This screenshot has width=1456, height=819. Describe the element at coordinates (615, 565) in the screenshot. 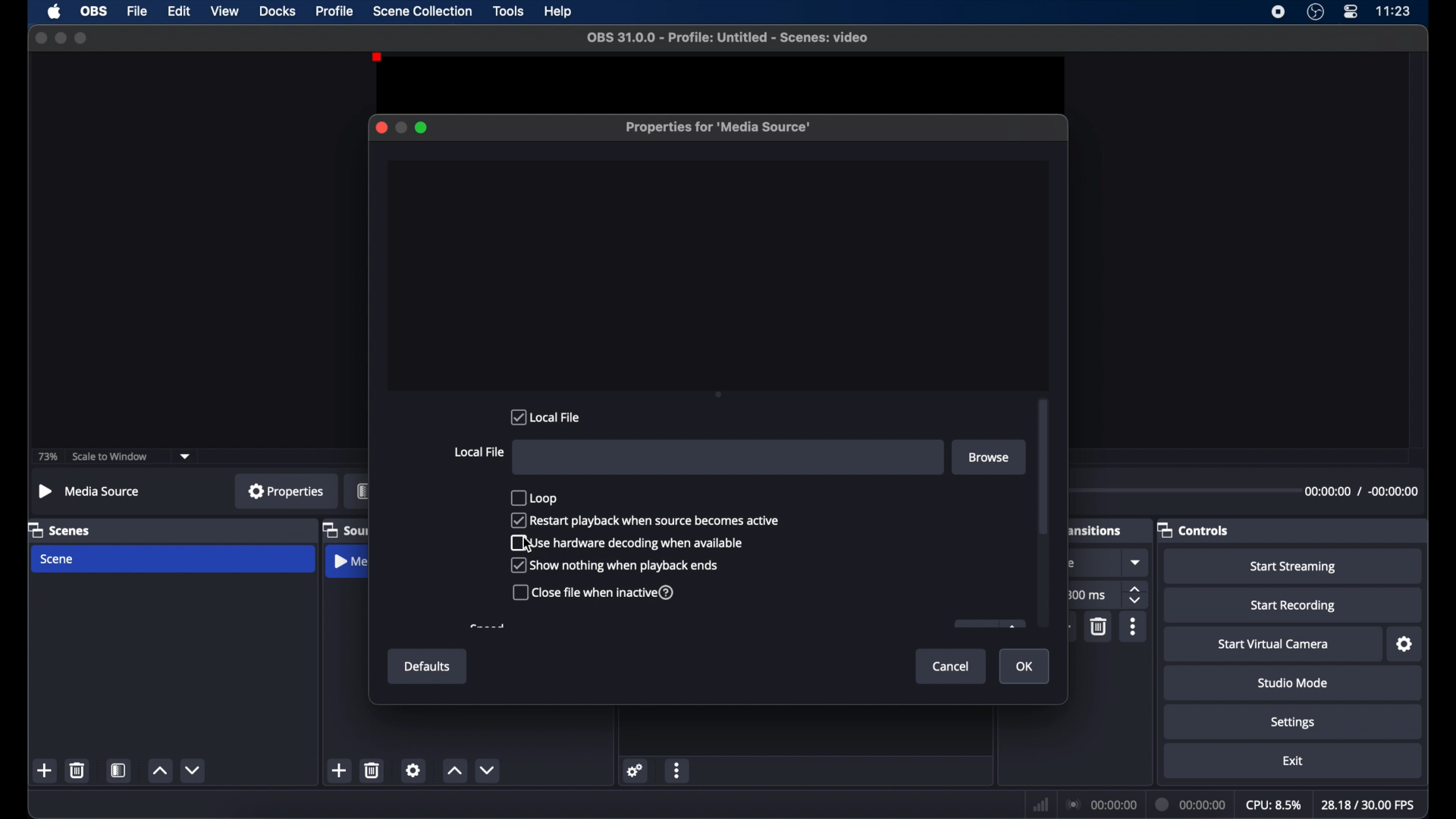

I see `show nothing when playback ends` at that location.